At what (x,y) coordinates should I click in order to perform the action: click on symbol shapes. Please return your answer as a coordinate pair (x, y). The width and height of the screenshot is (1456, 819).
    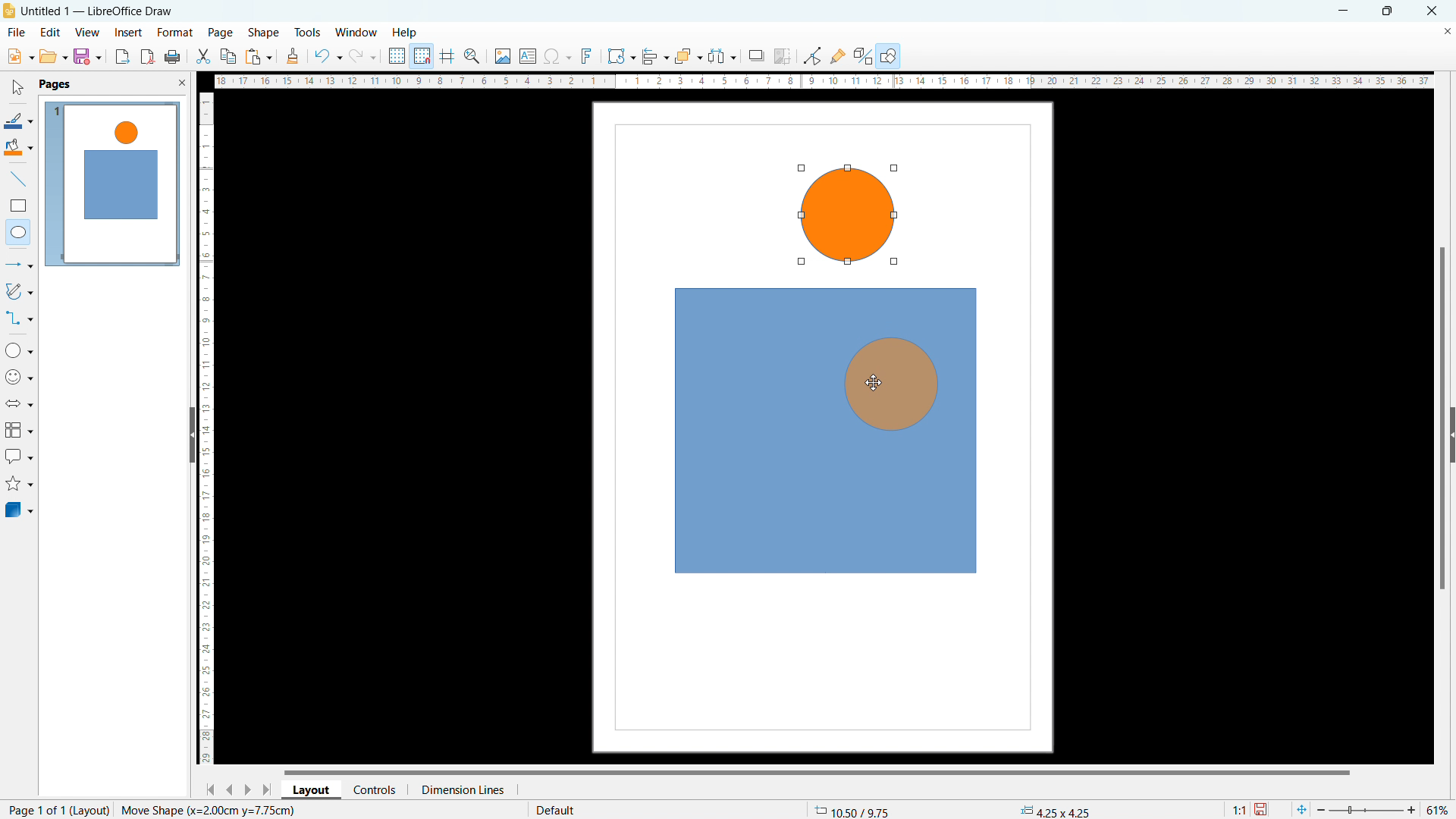
    Looking at the image, I should click on (20, 377).